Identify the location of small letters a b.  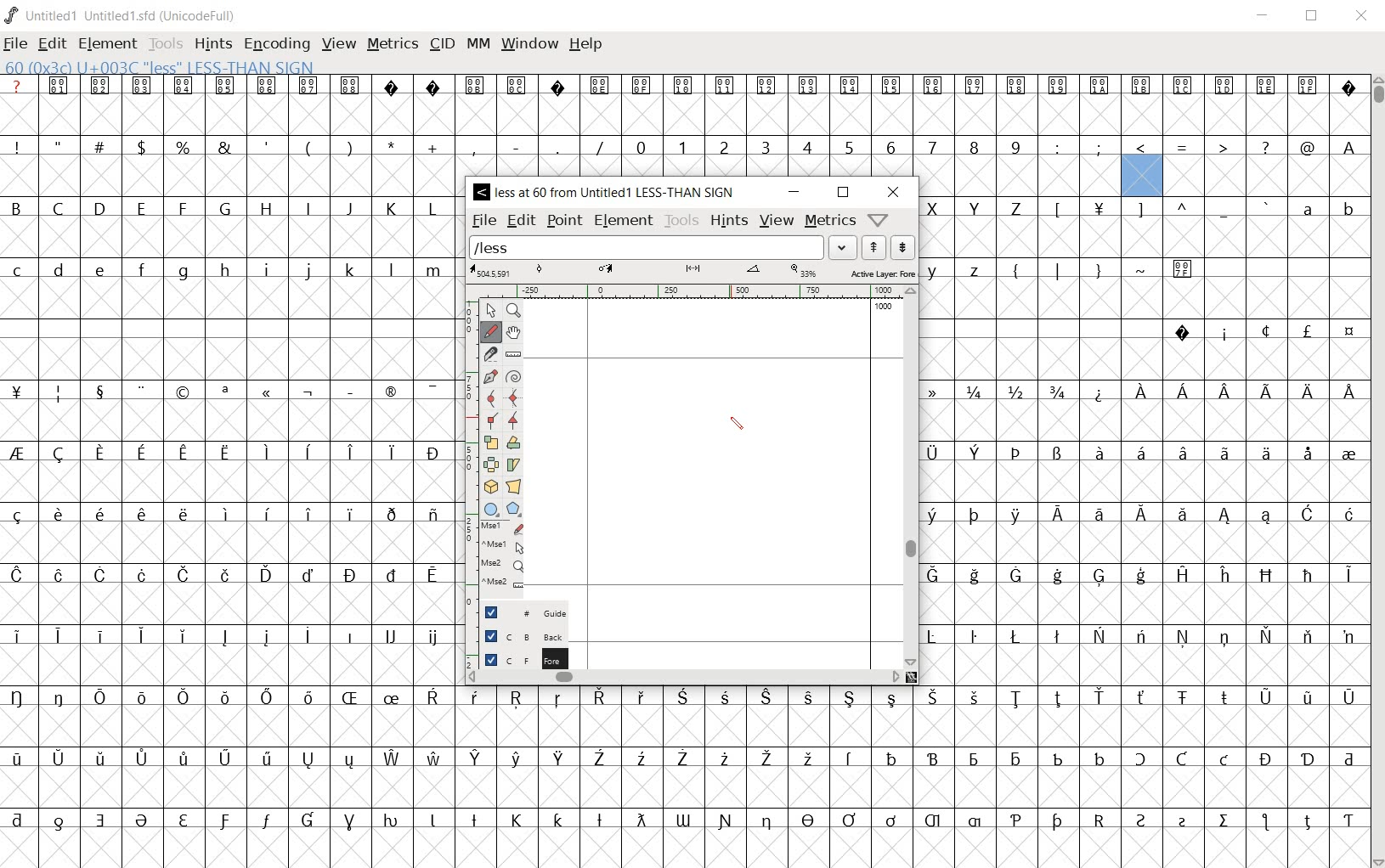
(1324, 208).